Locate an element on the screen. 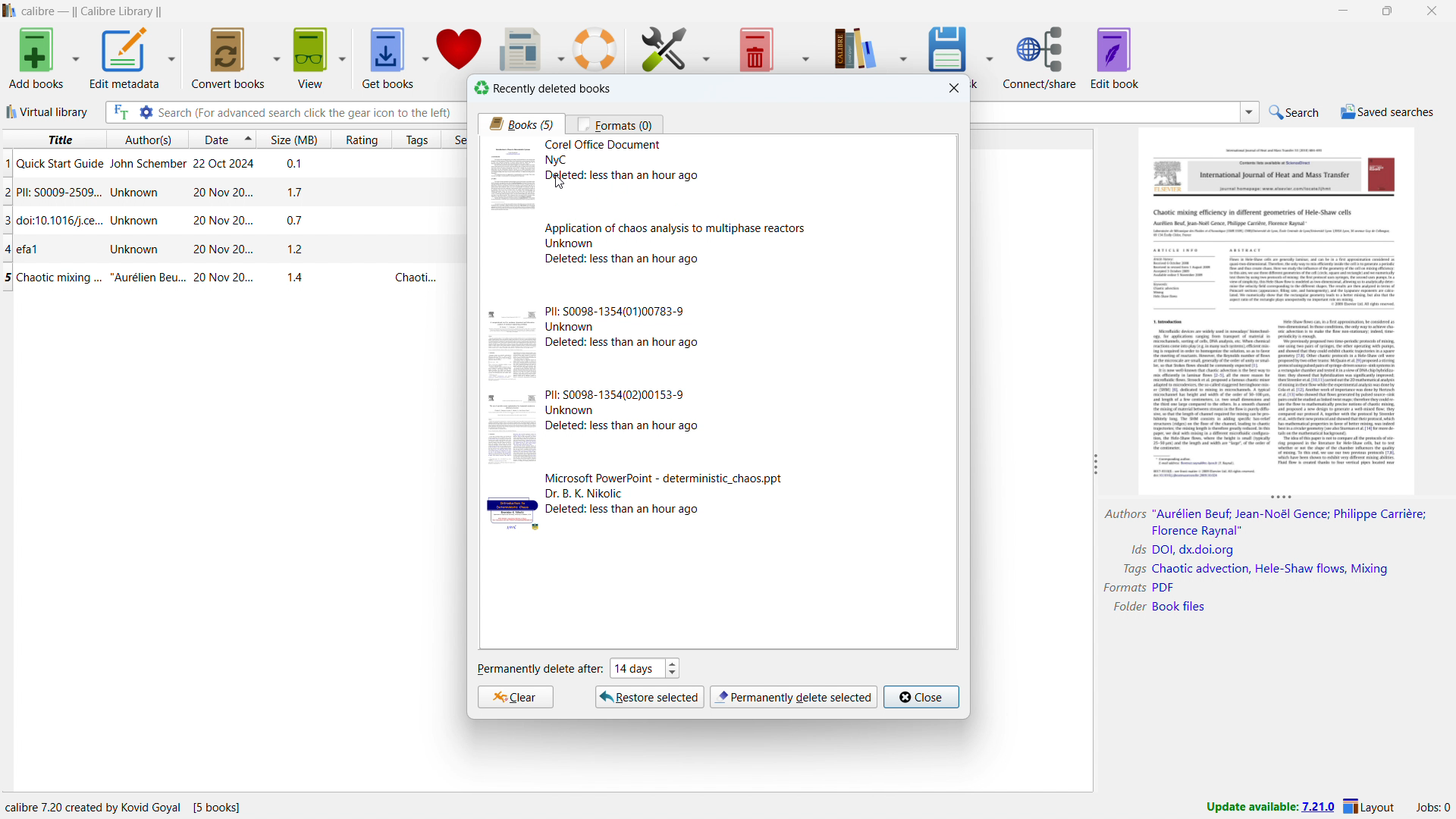 The width and height of the screenshot is (1456, 819). sort by author is located at coordinates (146, 139).